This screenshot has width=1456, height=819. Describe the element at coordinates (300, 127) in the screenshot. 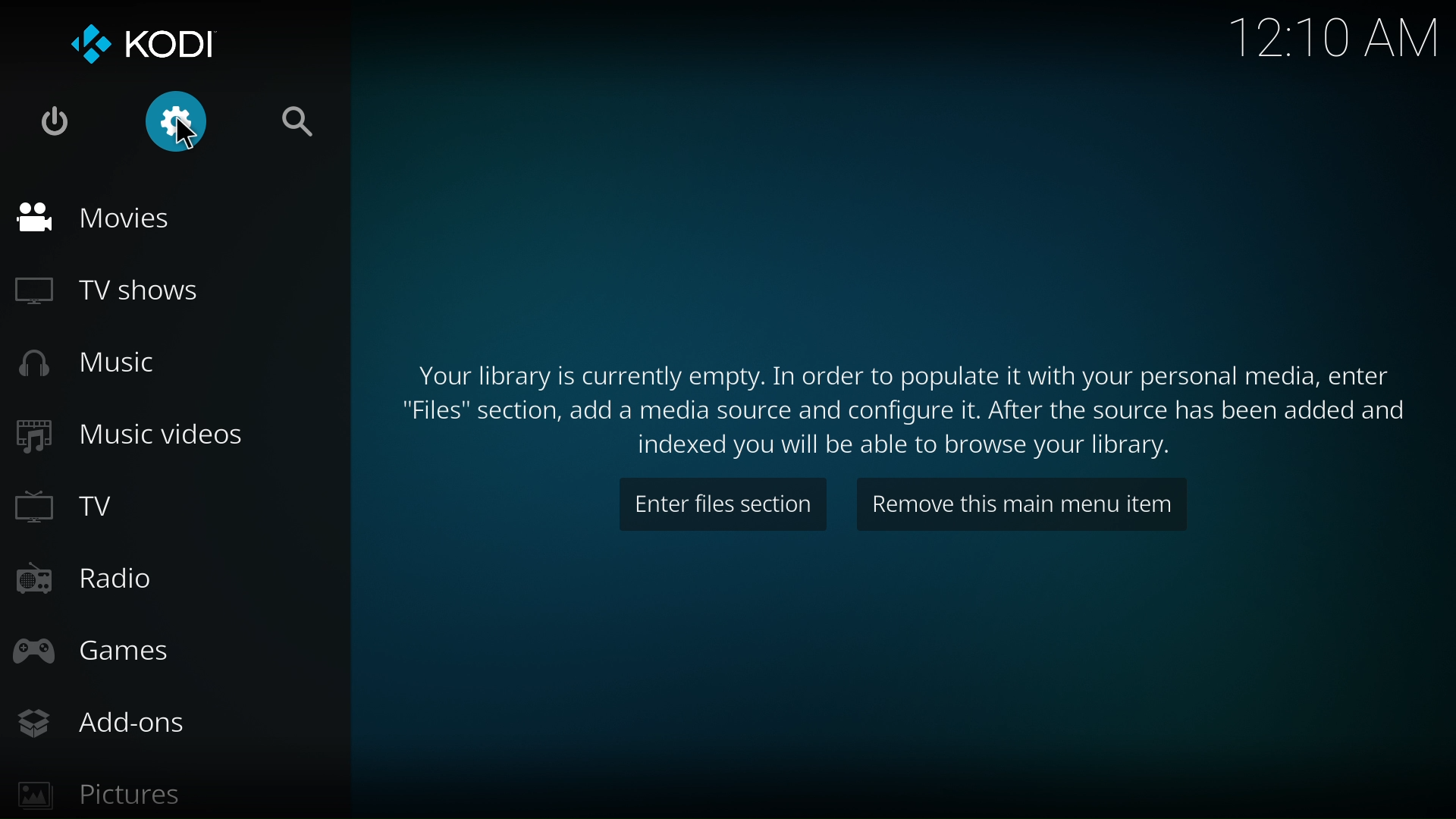

I see `search` at that location.